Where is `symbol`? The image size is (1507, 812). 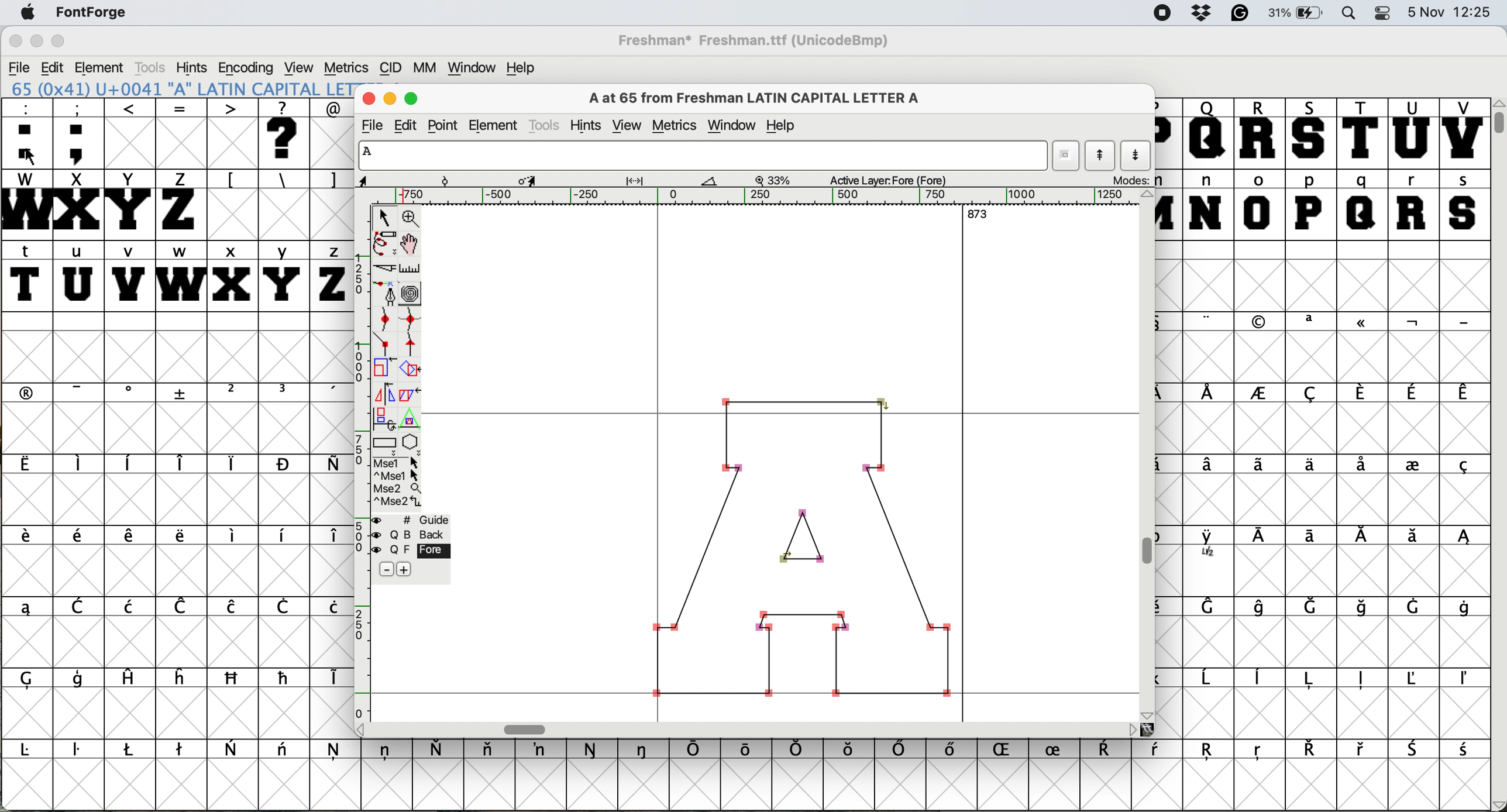
symbol is located at coordinates (1309, 749).